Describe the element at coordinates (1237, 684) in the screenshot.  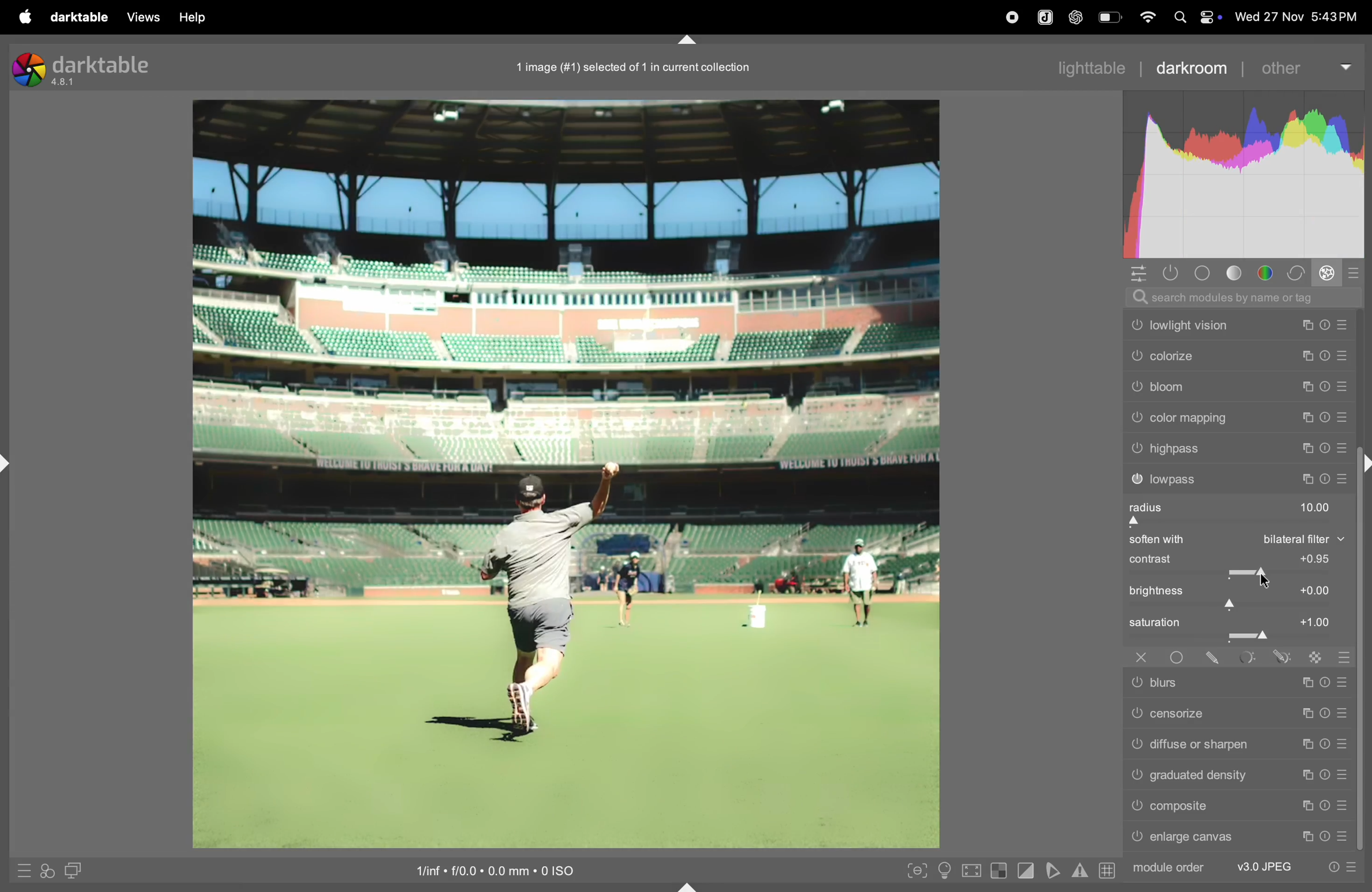
I see `blurs` at that location.